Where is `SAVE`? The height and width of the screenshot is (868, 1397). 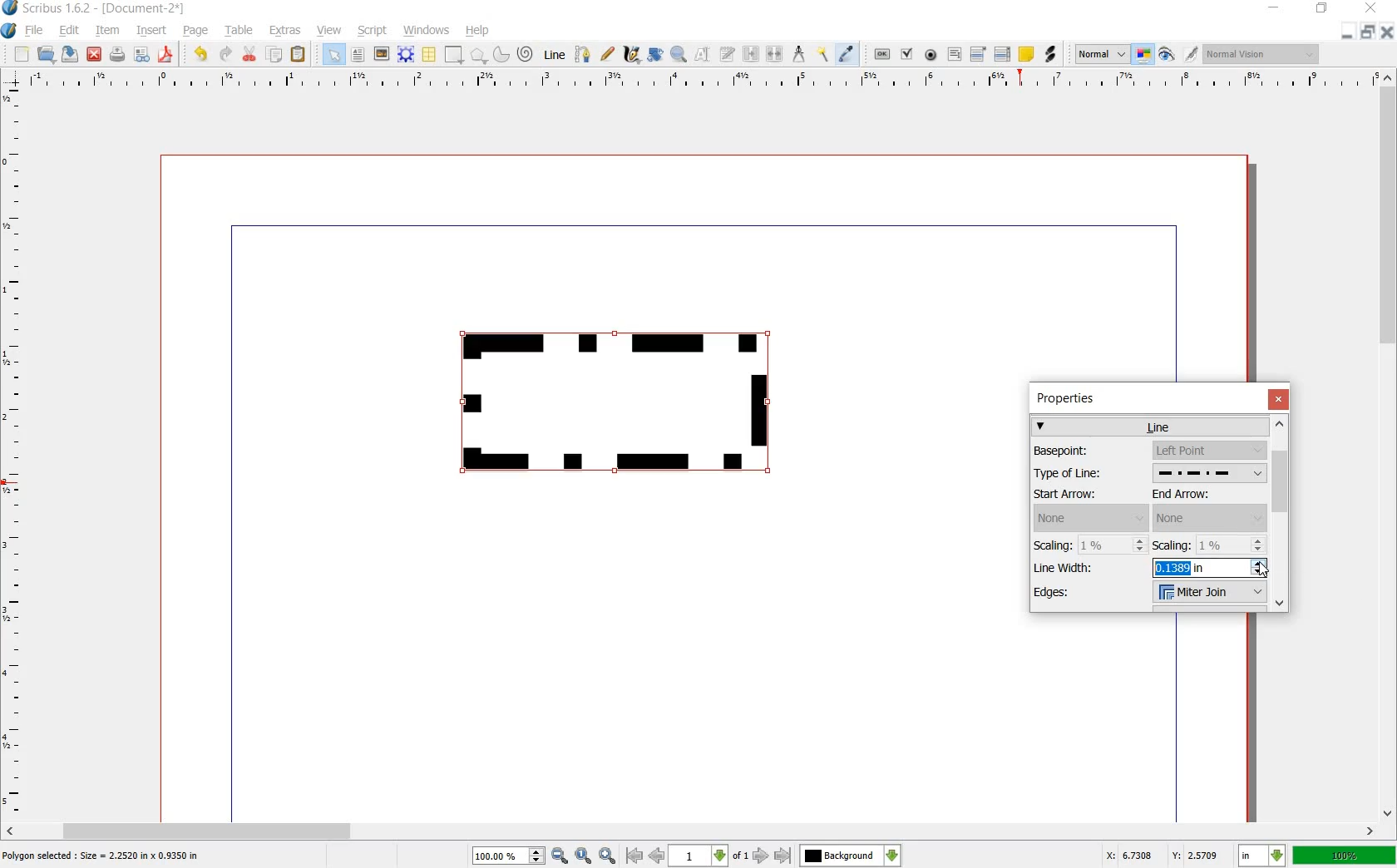 SAVE is located at coordinates (68, 54).